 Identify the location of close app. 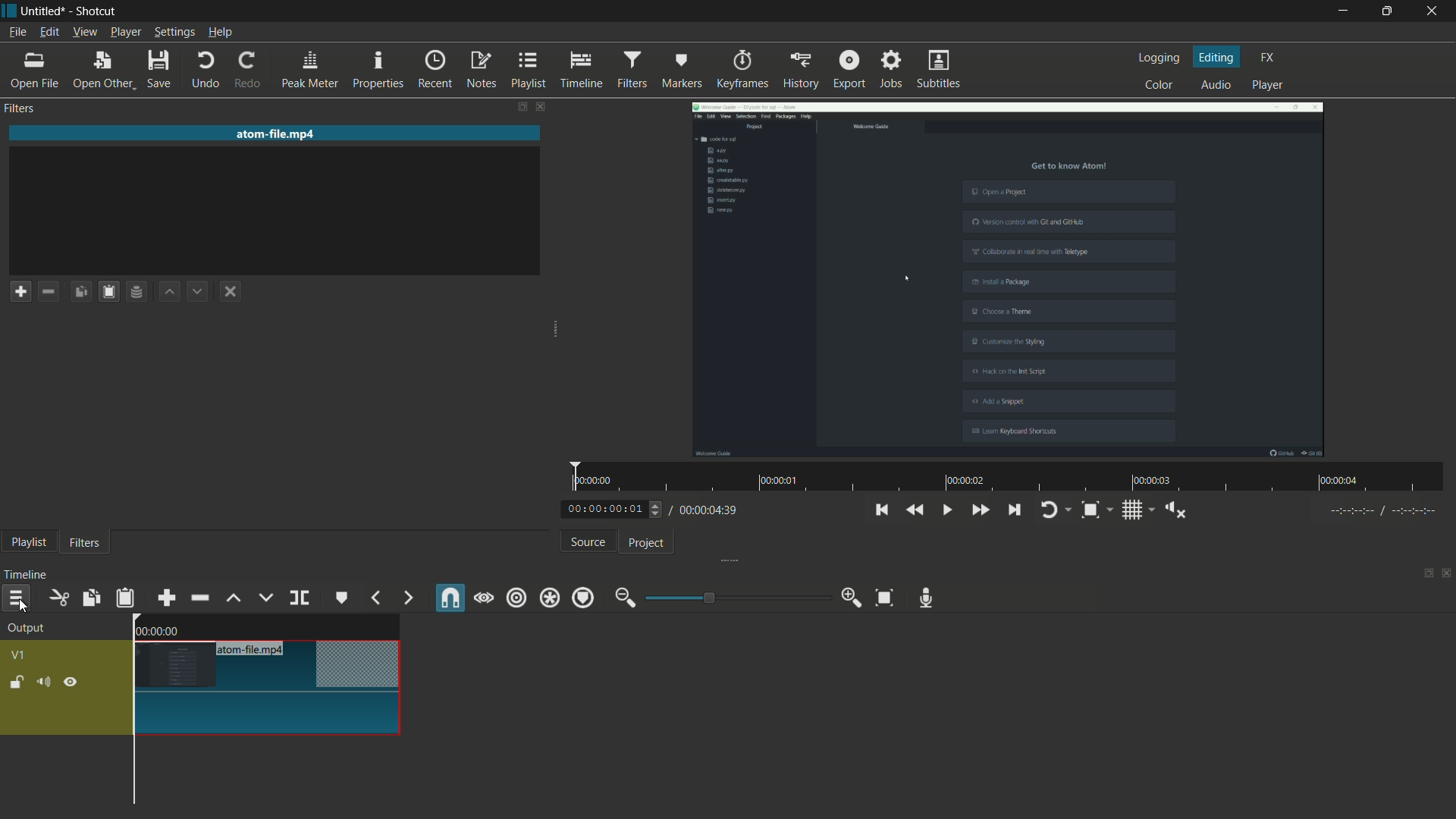
(1433, 11).